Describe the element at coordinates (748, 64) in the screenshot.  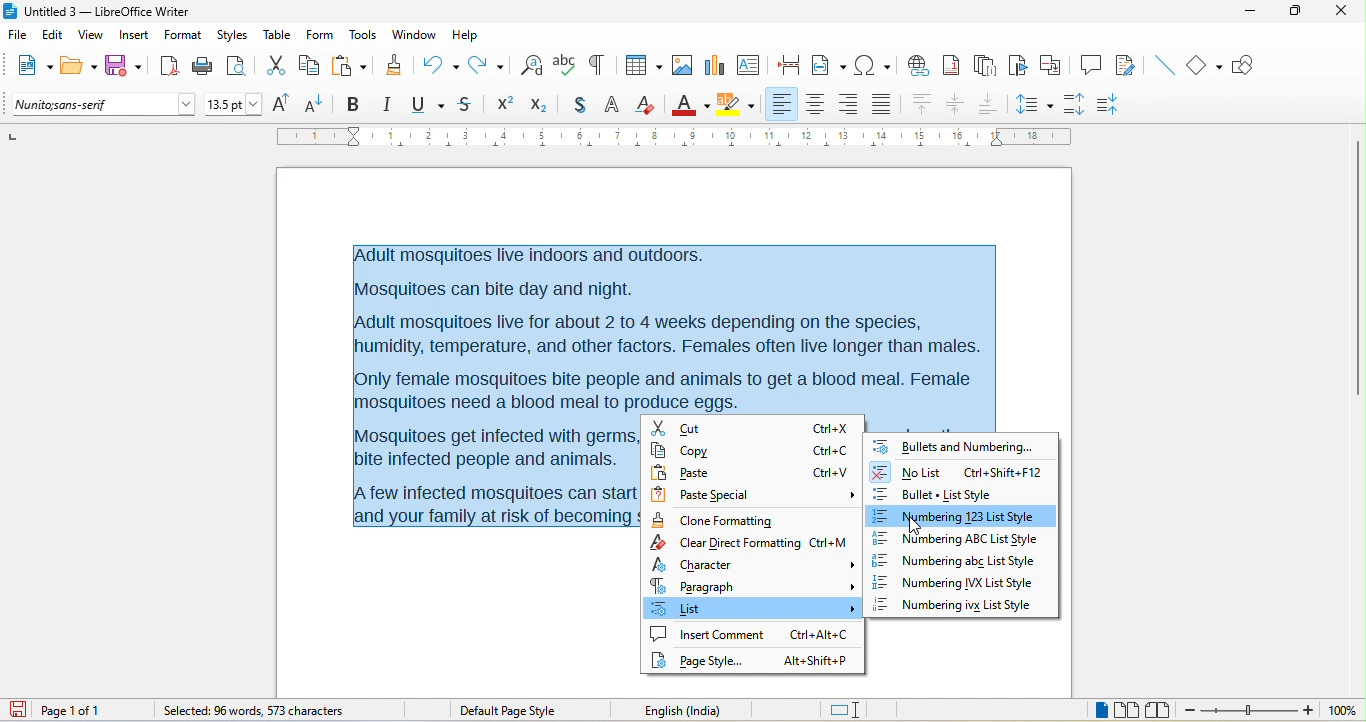
I see `text box` at that location.